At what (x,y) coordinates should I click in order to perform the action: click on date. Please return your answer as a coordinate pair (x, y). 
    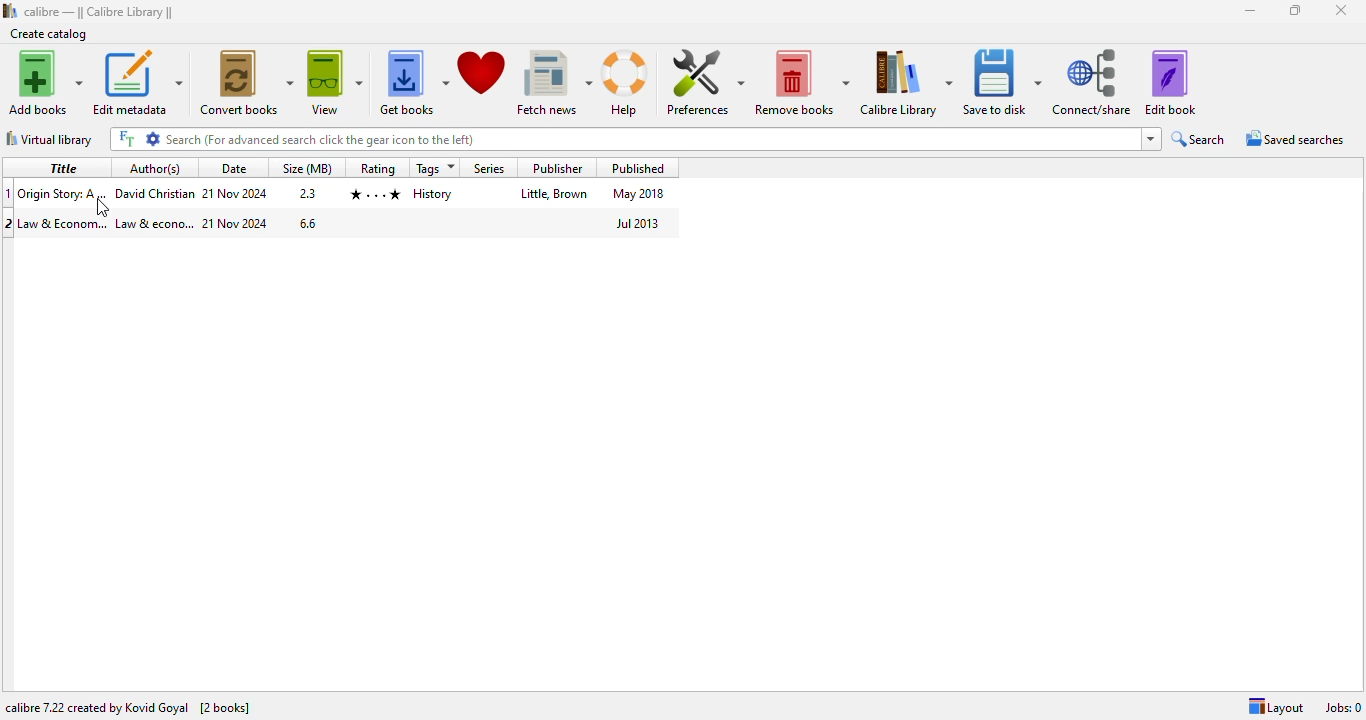
    Looking at the image, I should click on (236, 168).